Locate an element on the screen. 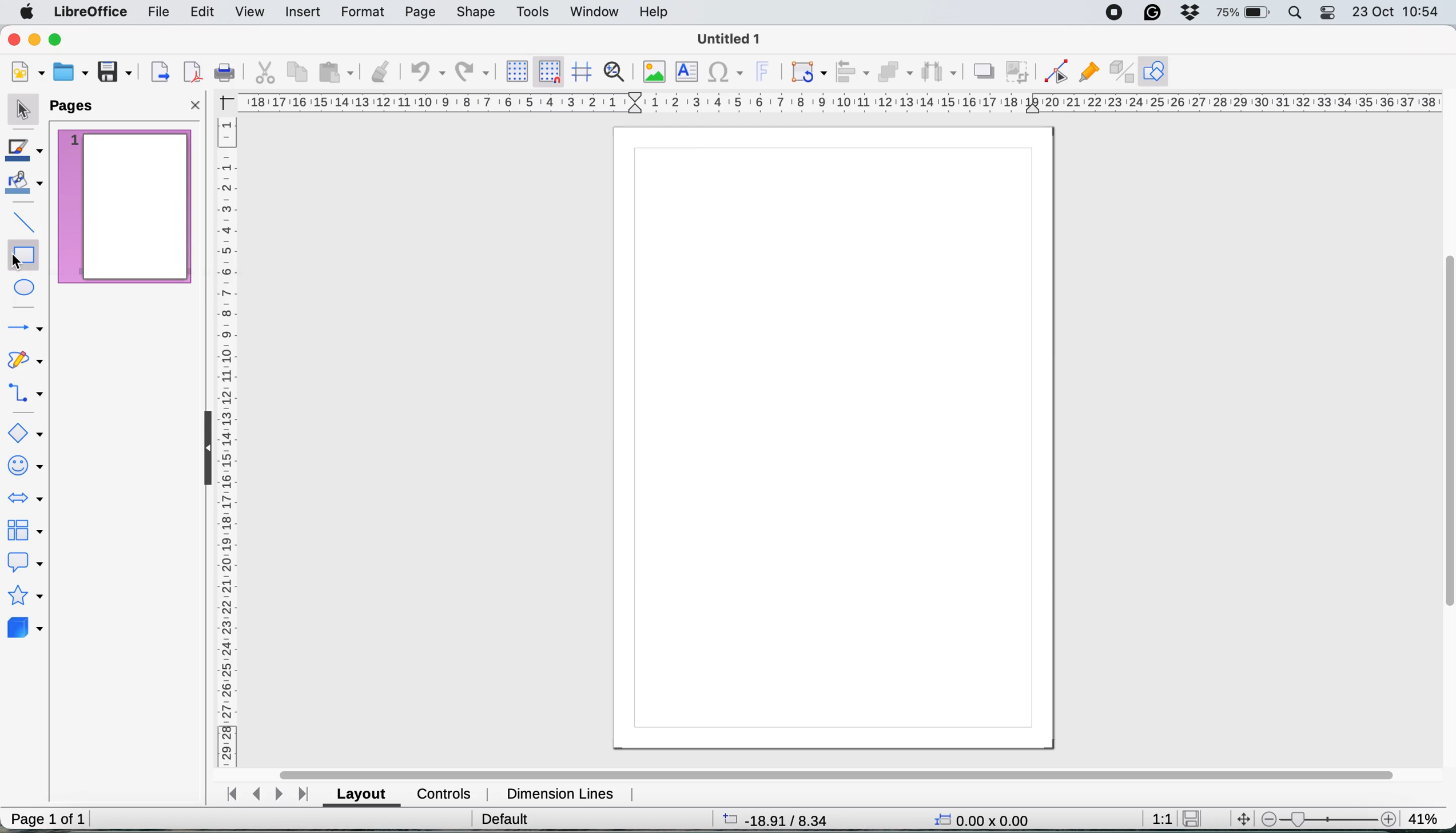 Image resolution: width=1456 pixels, height=833 pixels. select atleast three objects to distribute is located at coordinates (943, 72).